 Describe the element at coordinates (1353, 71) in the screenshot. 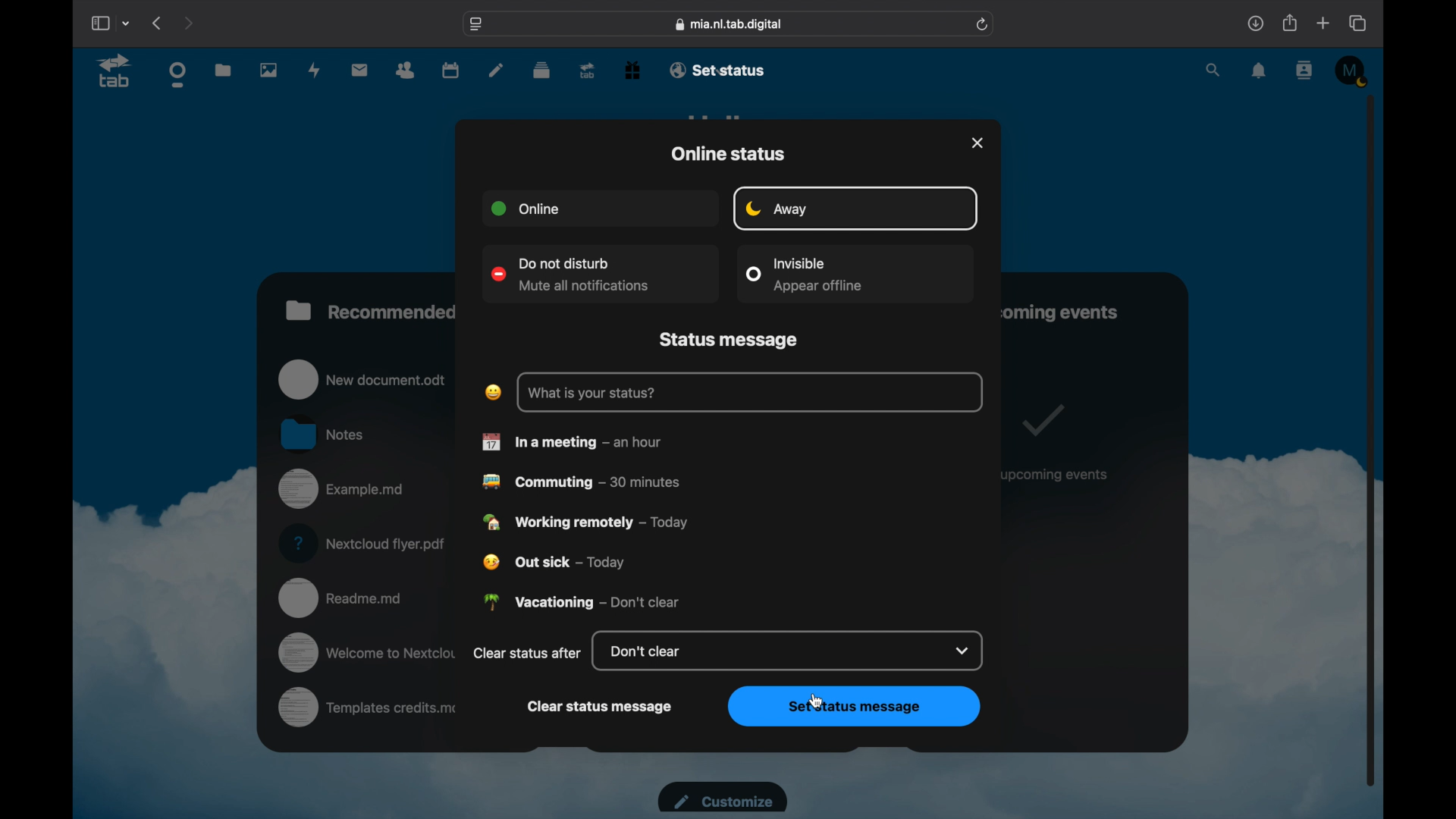

I see `M` at that location.